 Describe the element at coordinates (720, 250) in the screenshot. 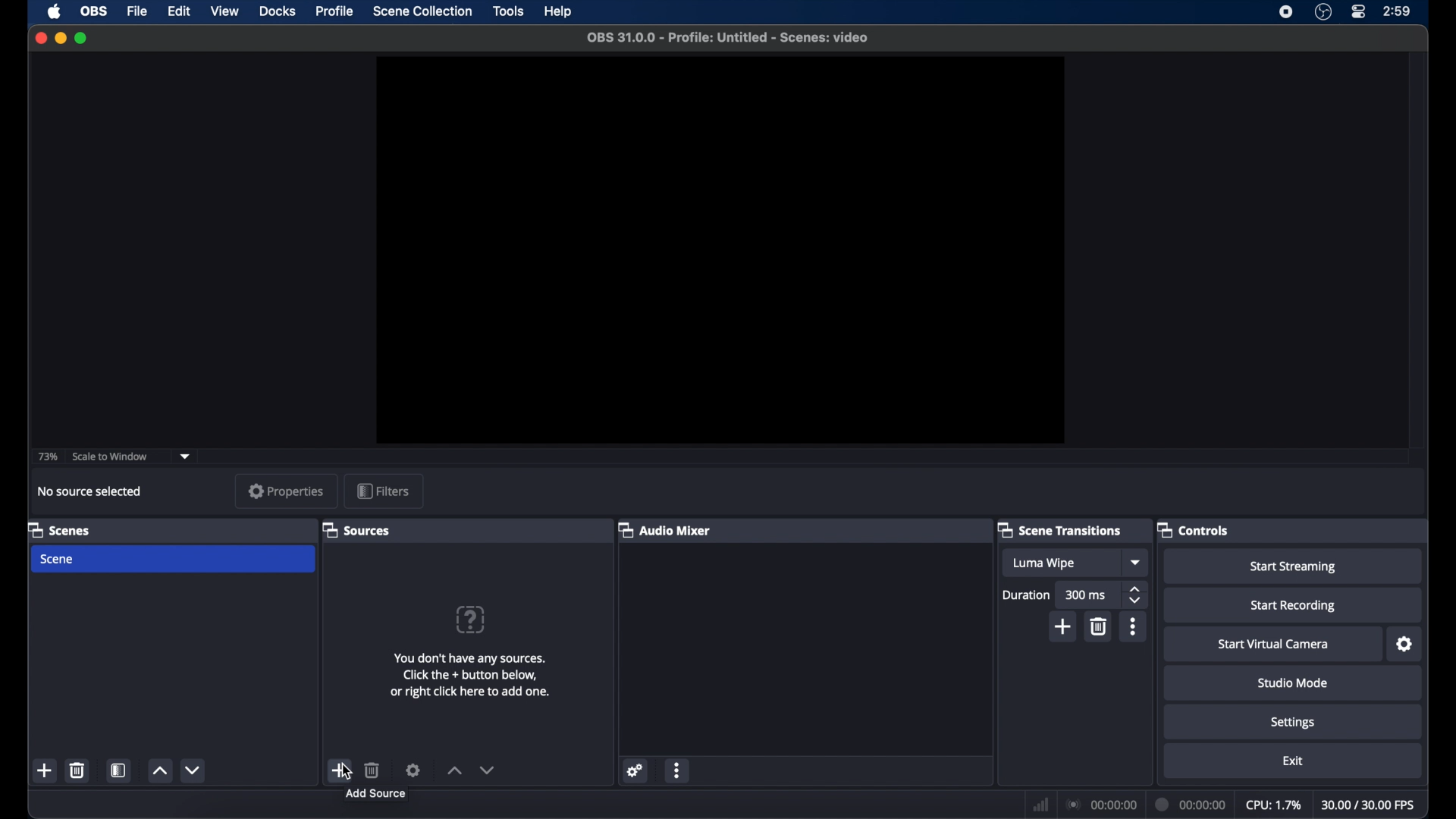

I see `preview` at that location.